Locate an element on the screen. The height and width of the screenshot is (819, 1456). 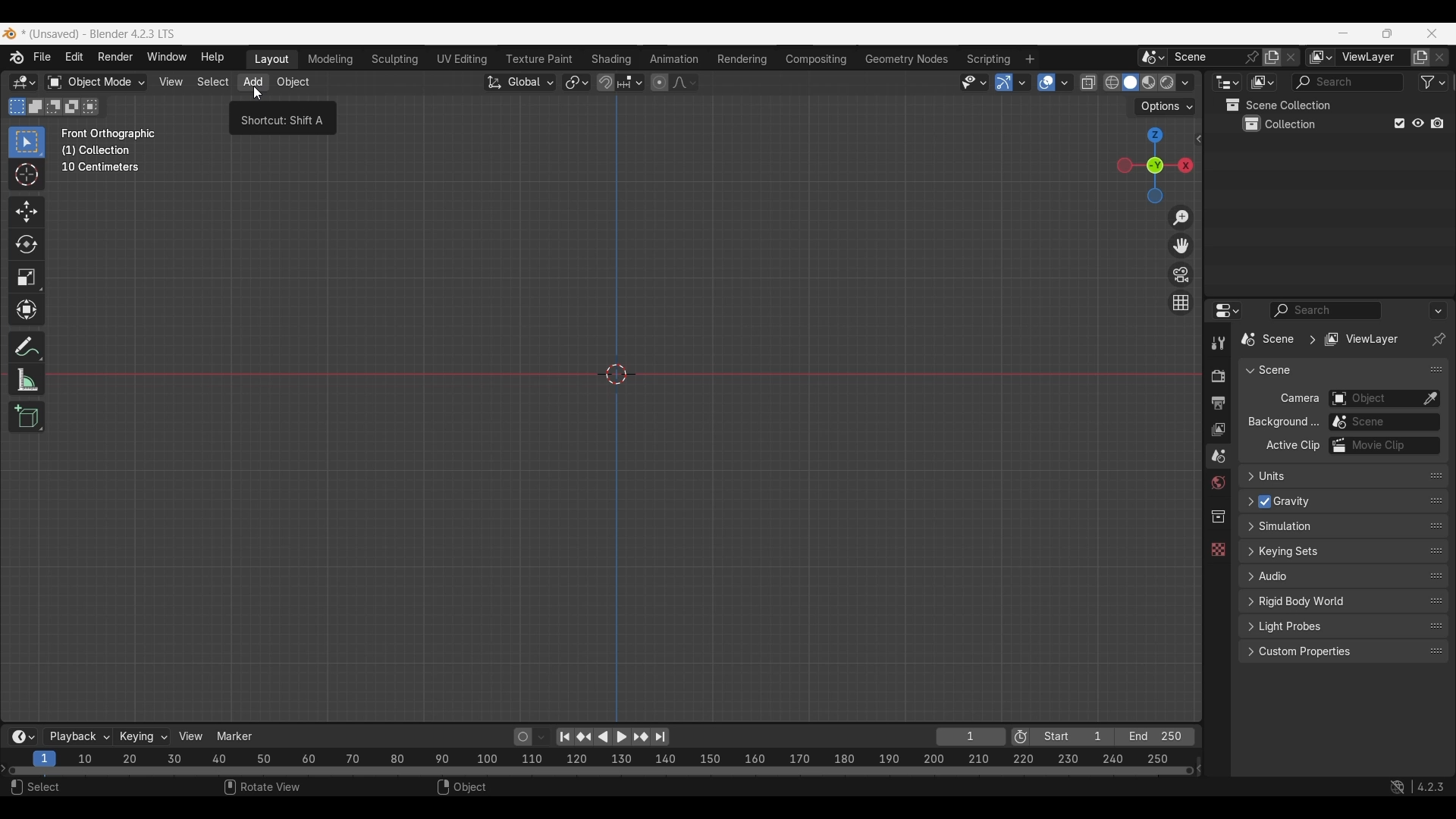
Current version of software  is located at coordinates (1432, 787).